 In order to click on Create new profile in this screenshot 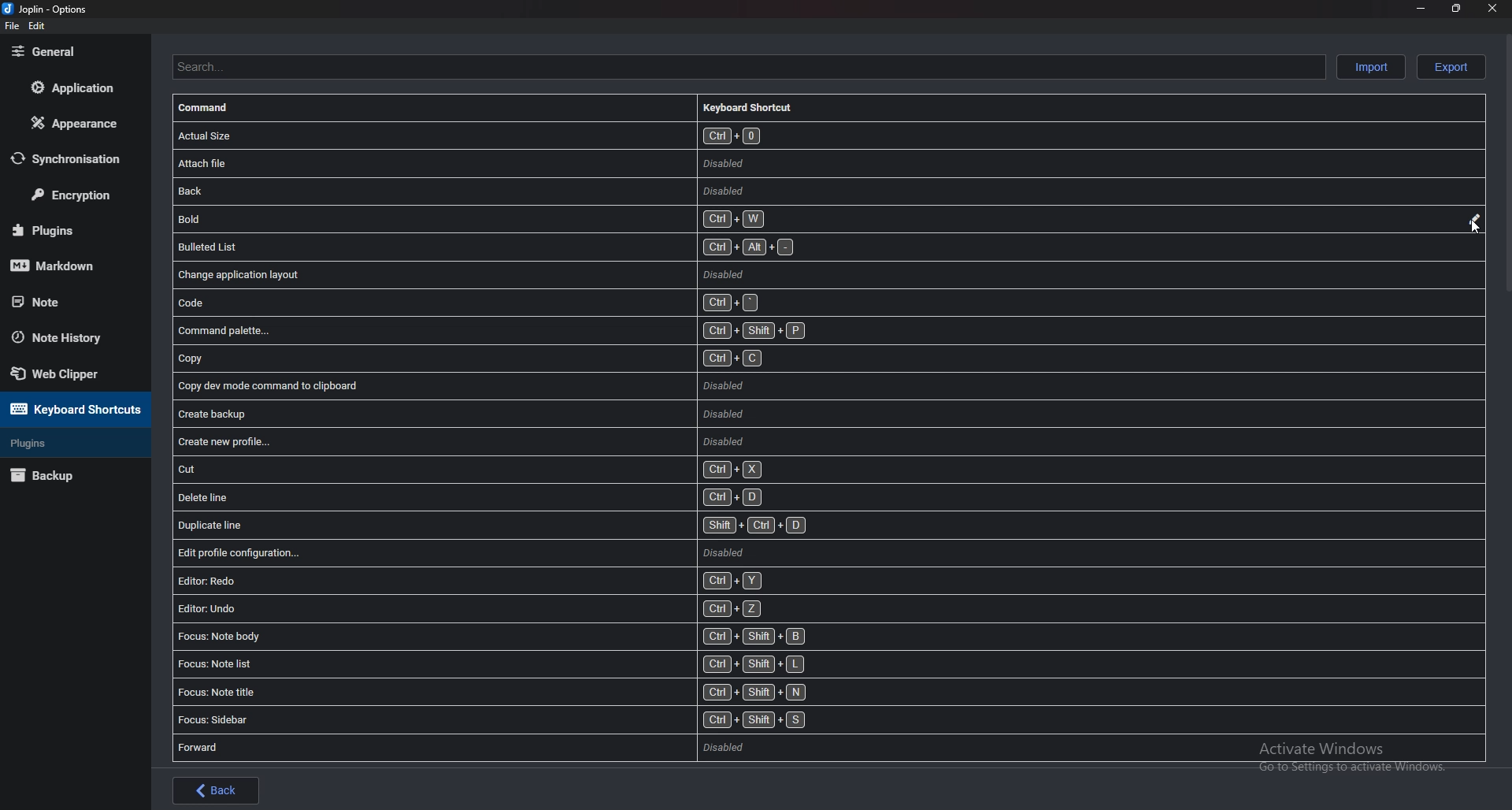, I will do `click(468, 442)`.